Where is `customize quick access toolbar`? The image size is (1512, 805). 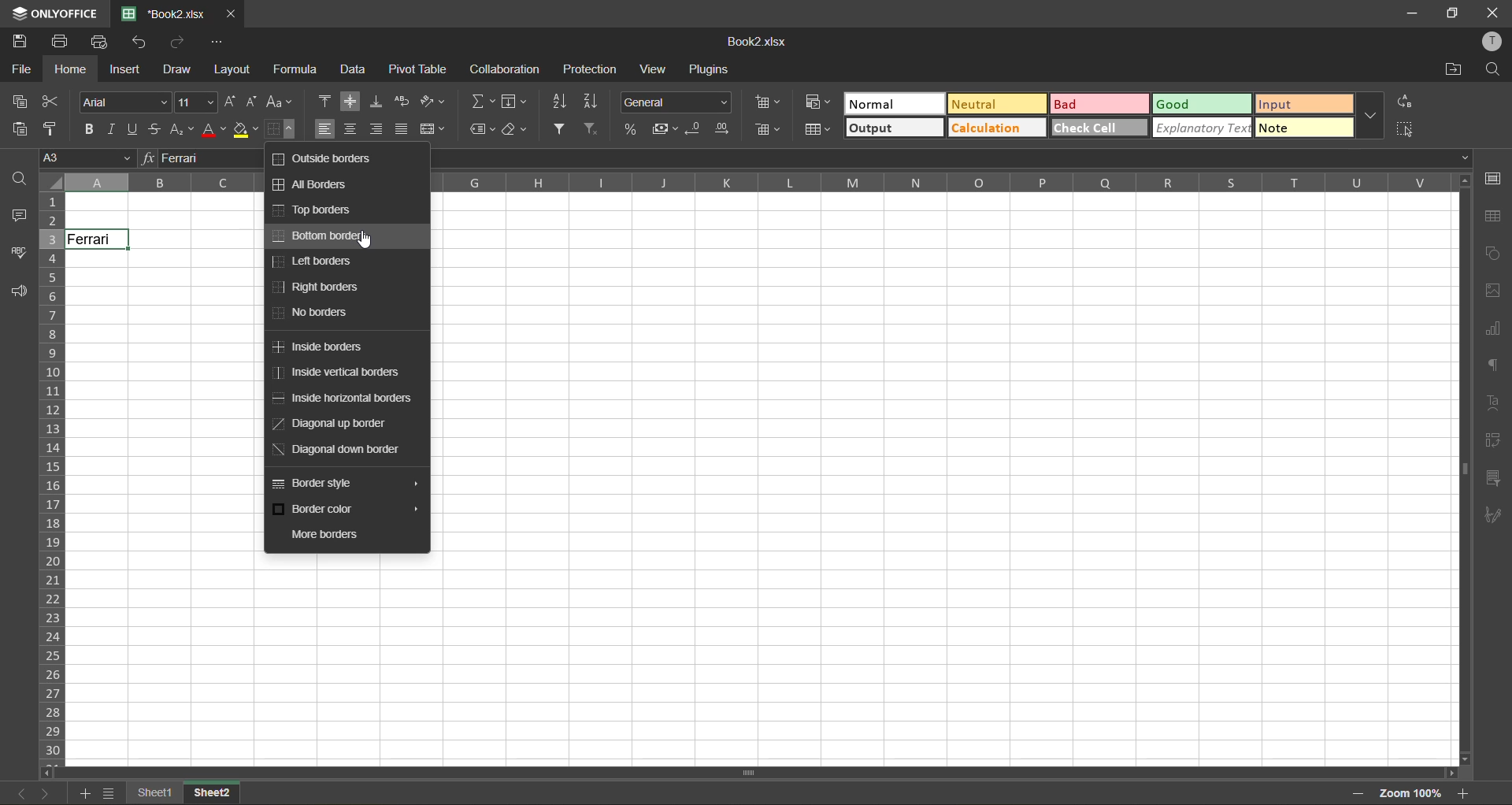
customize quick access toolbar is located at coordinates (221, 43).